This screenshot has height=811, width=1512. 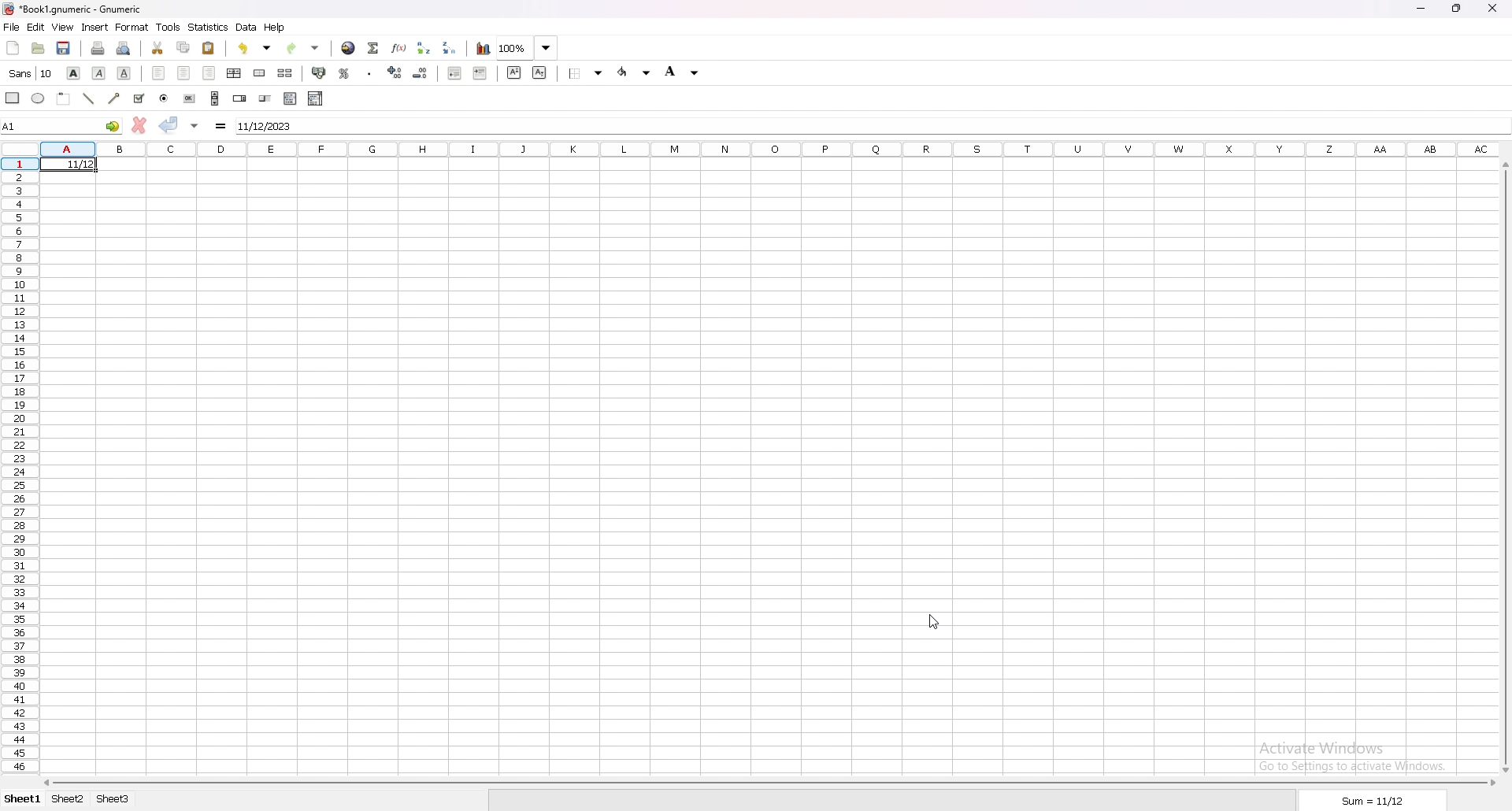 What do you see at coordinates (76, 167) in the screenshot?
I see `date` at bounding box center [76, 167].